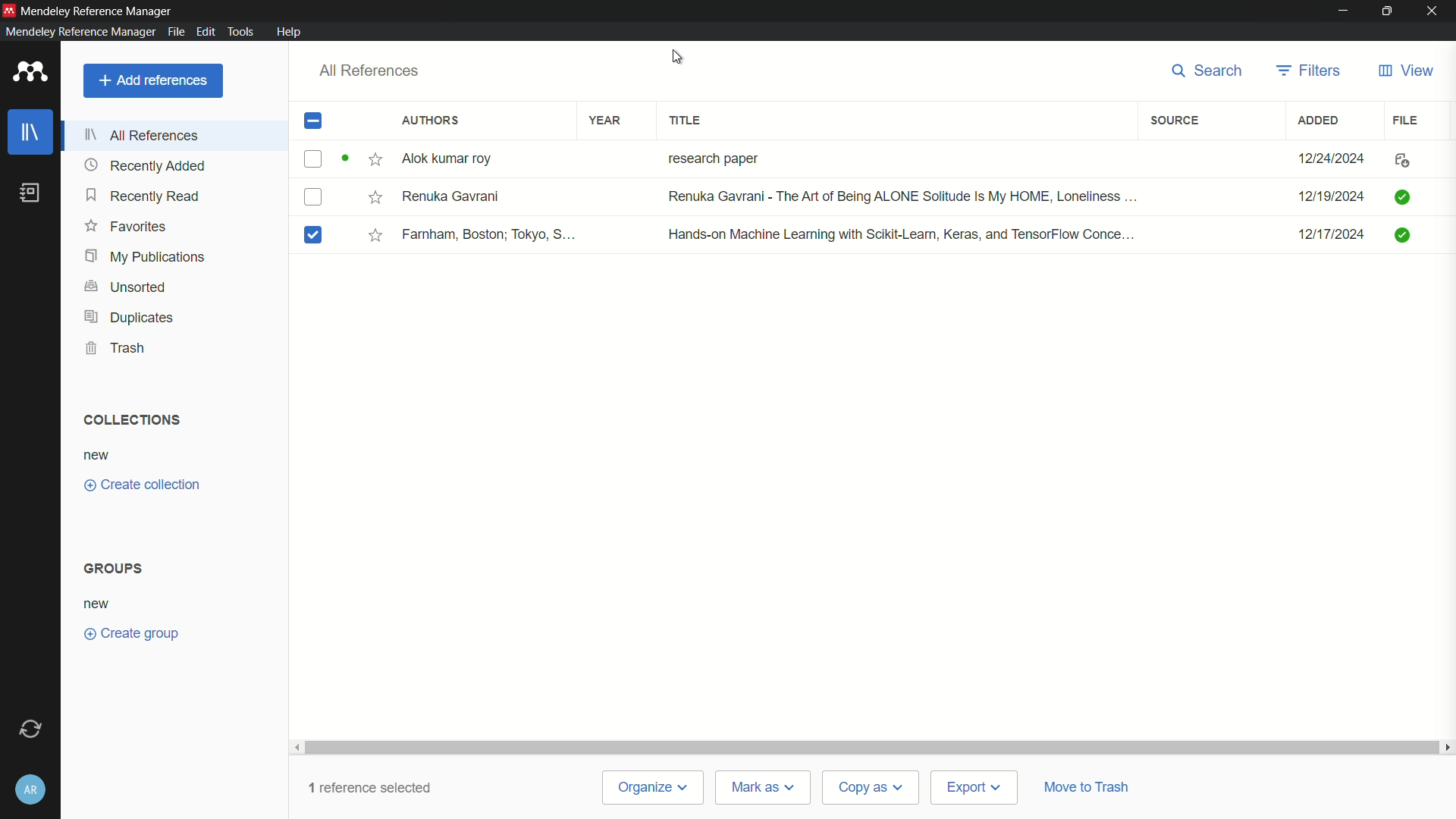 This screenshot has height=819, width=1456. I want to click on sync, so click(31, 730).